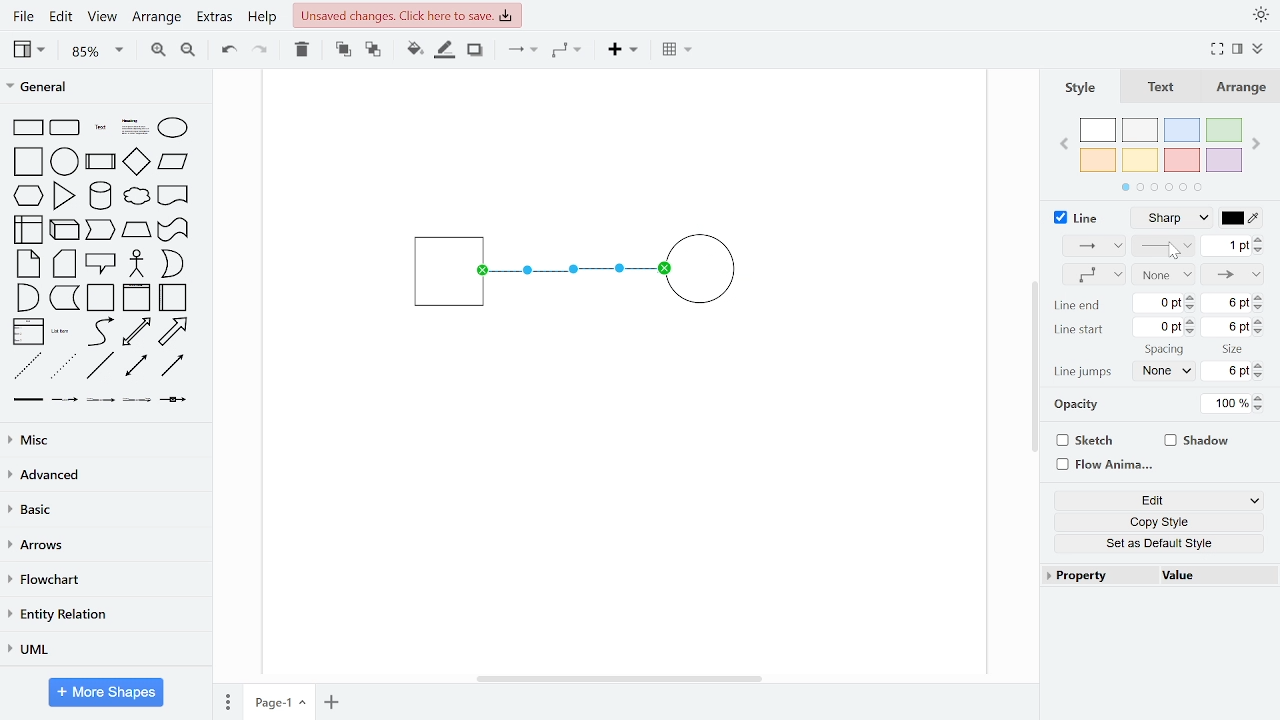  What do you see at coordinates (1161, 372) in the screenshot?
I see `line jumps type` at bounding box center [1161, 372].